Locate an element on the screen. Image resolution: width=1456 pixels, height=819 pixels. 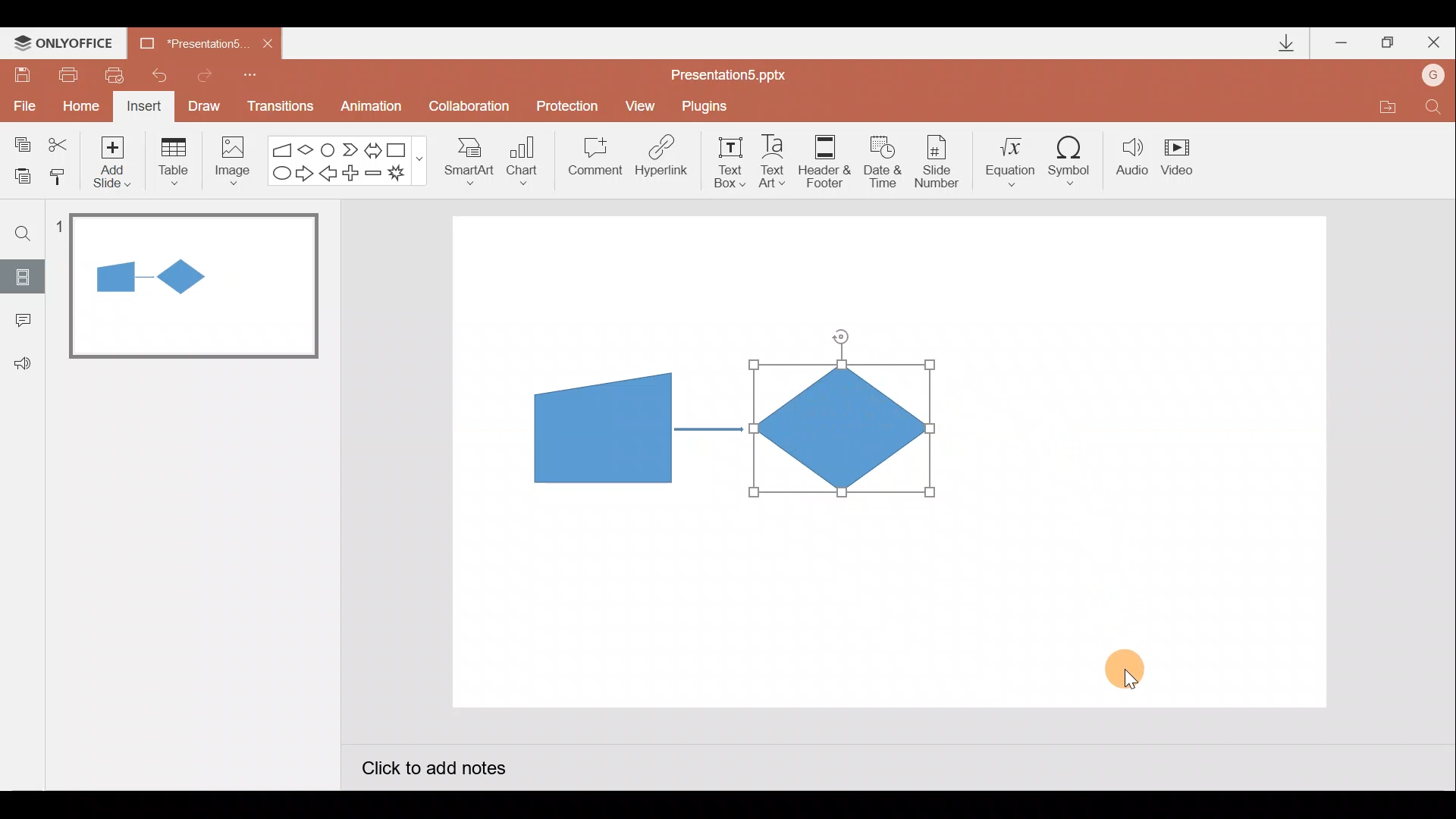
Maximize is located at coordinates (1388, 43).